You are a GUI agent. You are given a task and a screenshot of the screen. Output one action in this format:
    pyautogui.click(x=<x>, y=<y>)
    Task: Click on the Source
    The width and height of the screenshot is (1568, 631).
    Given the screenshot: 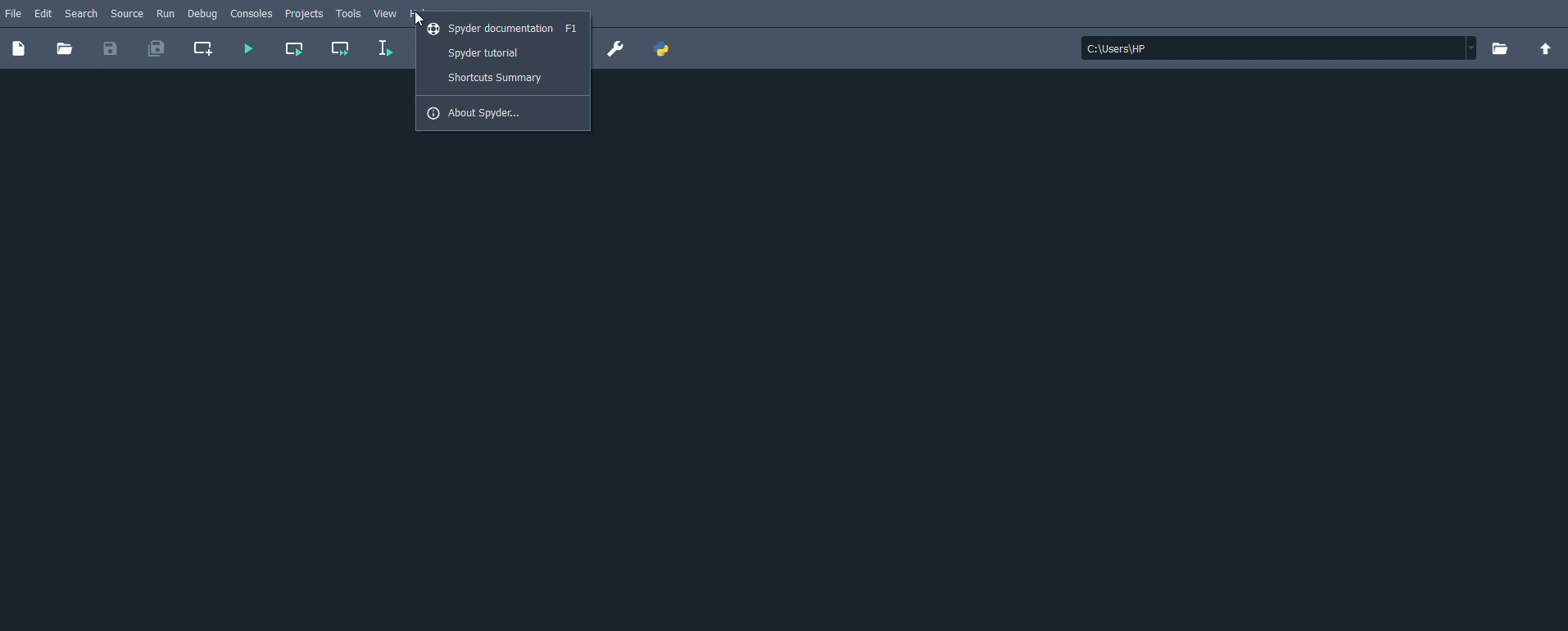 What is the action you would take?
    pyautogui.click(x=127, y=15)
    